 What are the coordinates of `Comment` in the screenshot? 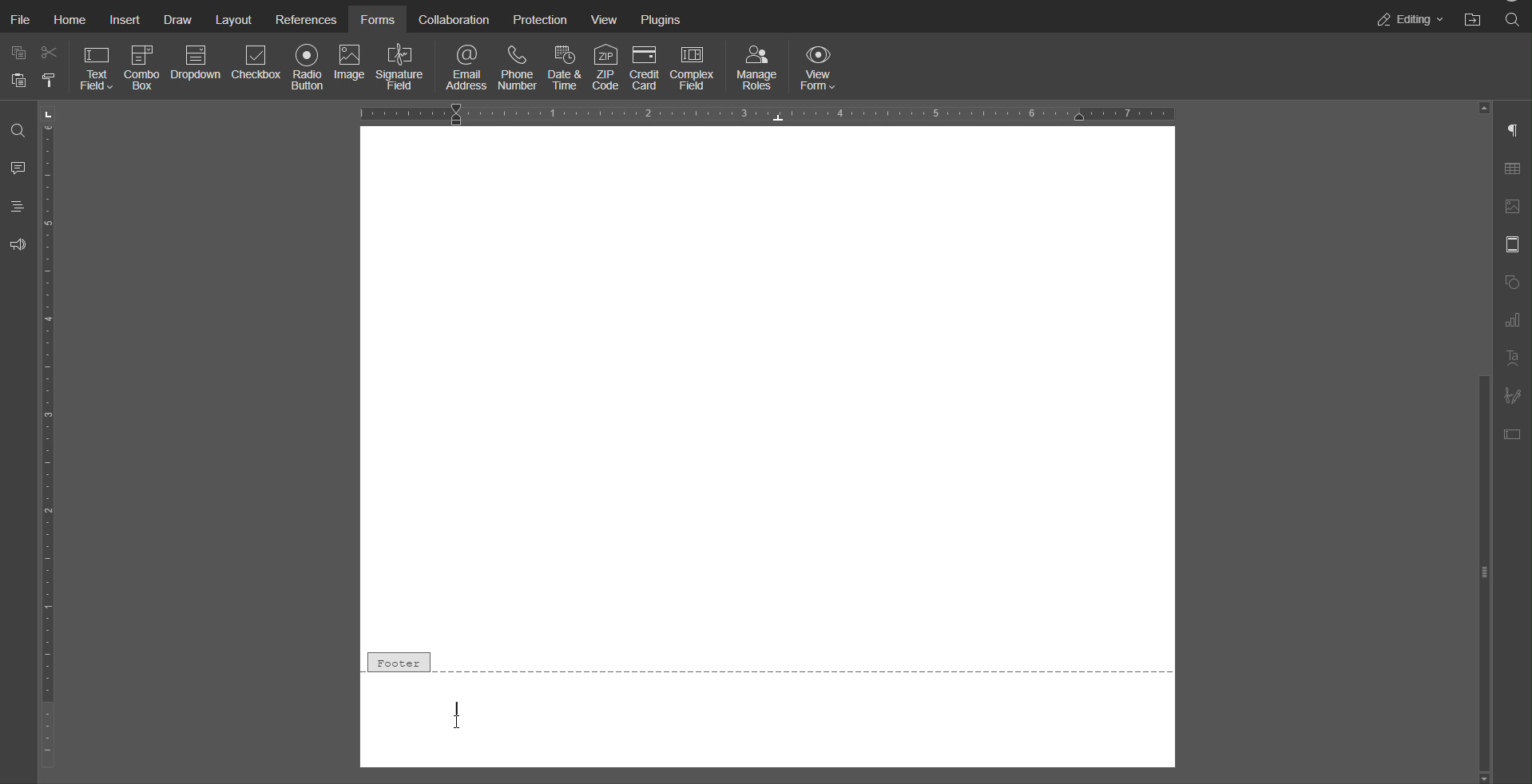 It's located at (18, 168).